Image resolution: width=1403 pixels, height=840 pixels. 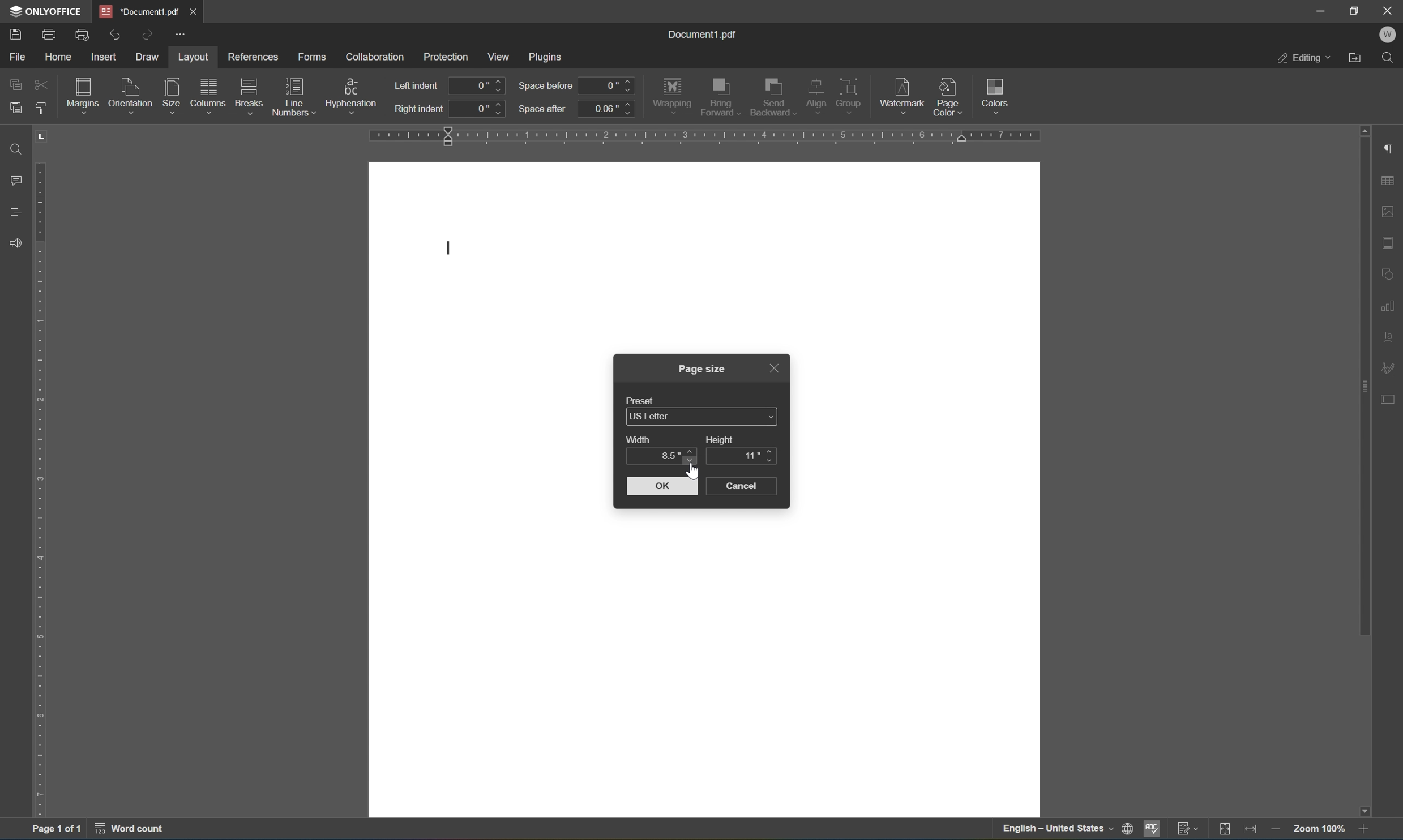 What do you see at coordinates (545, 86) in the screenshot?
I see `space before` at bounding box center [545, 86].